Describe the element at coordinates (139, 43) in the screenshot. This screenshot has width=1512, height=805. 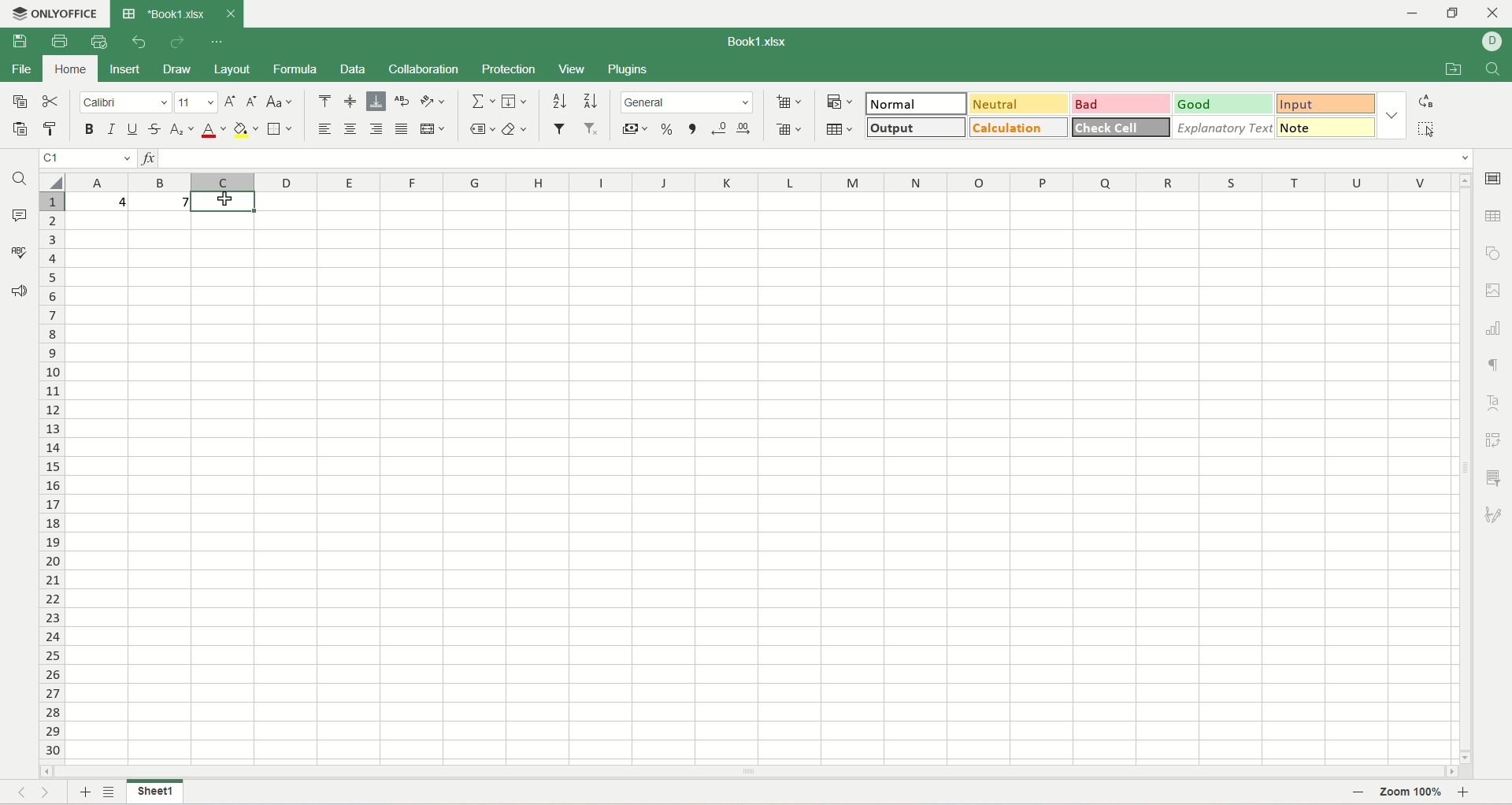
I see `undo` at that location.